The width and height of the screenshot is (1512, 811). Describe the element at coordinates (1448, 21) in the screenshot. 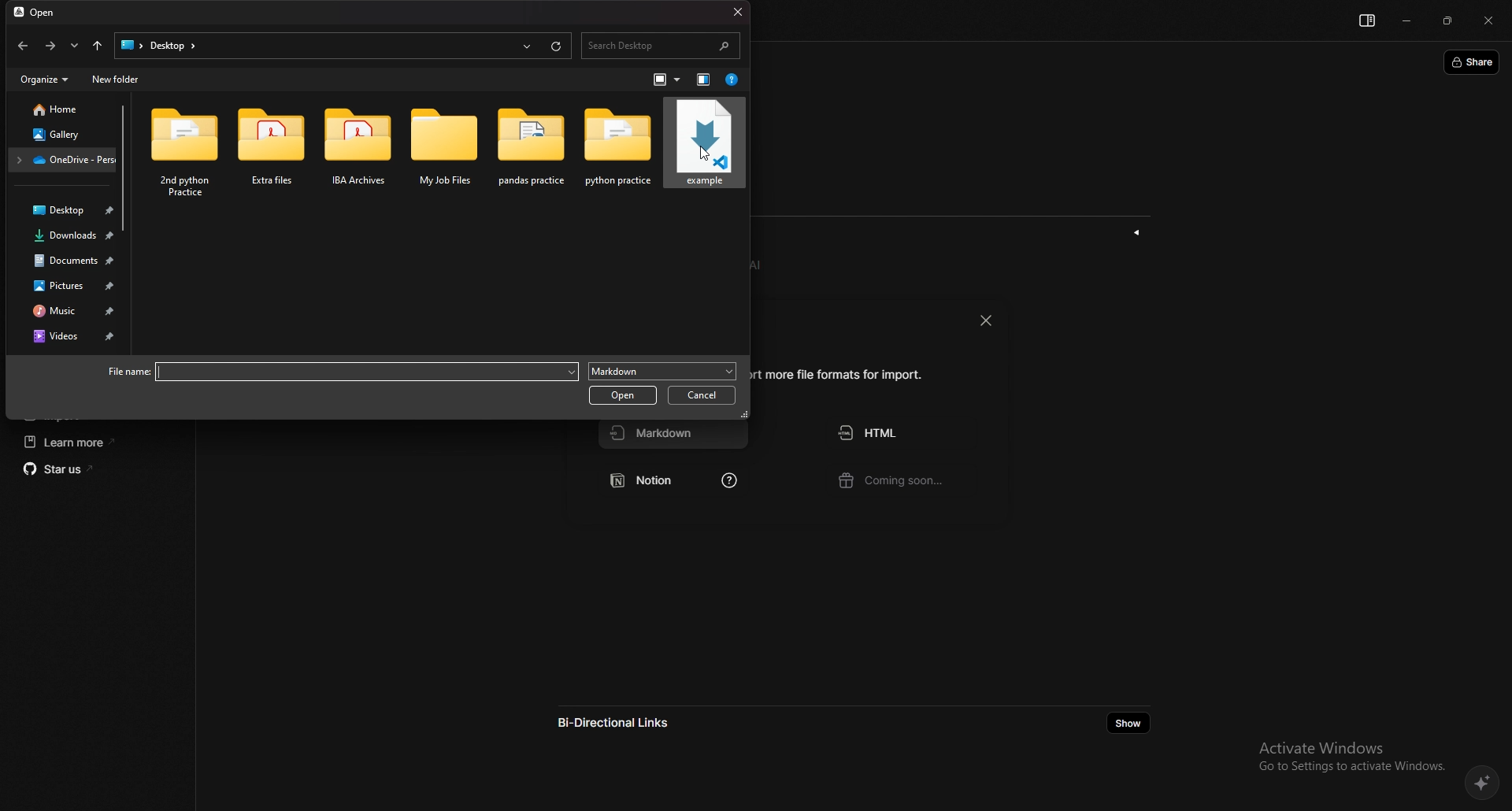

I see `resize` at that location.